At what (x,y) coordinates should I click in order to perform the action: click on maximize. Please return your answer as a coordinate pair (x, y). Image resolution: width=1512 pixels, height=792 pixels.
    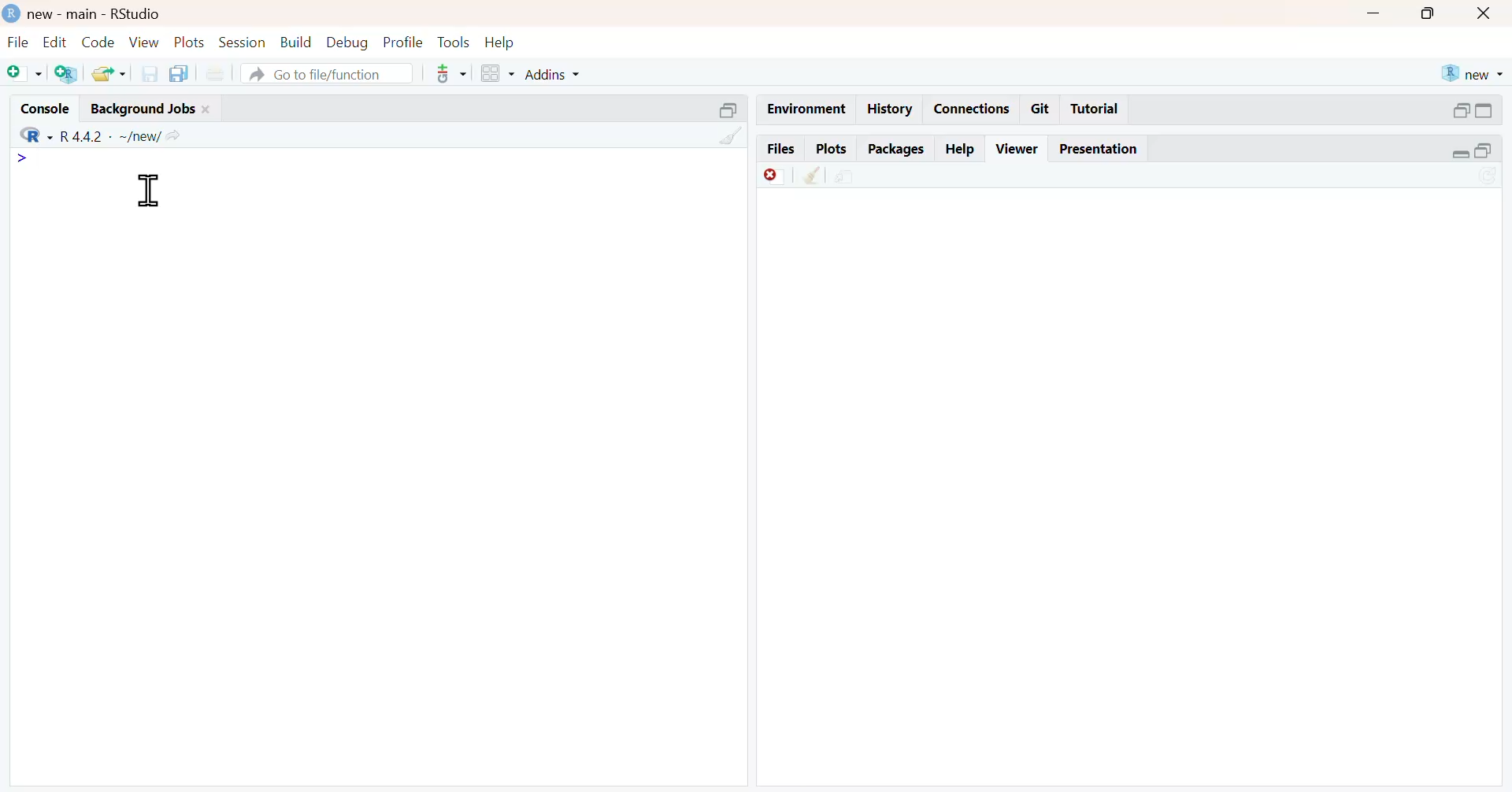
    Looking at the image, I should click on (1494, 153).